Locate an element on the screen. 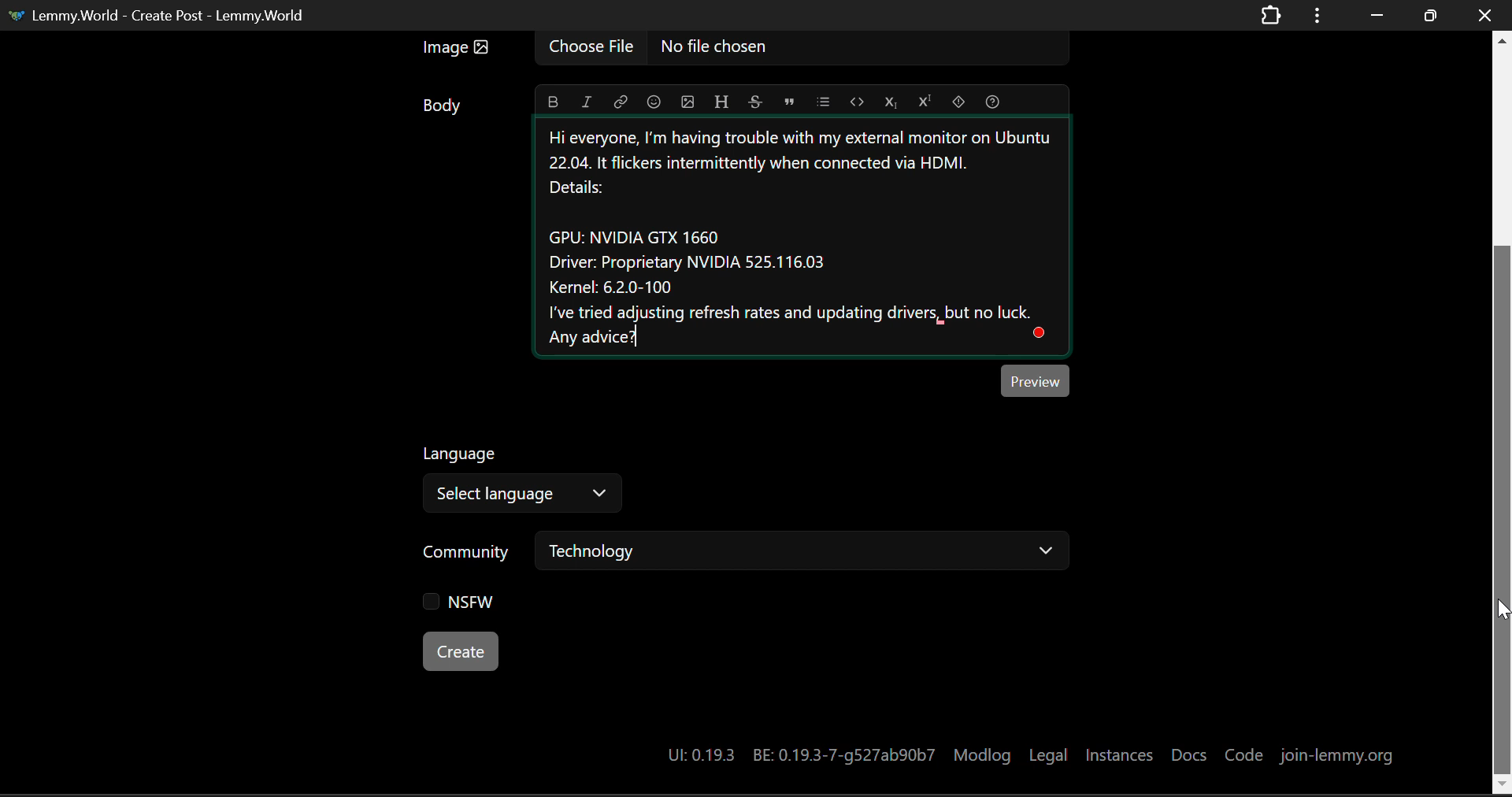  Restore Down is located at coordinates (1373, 13).